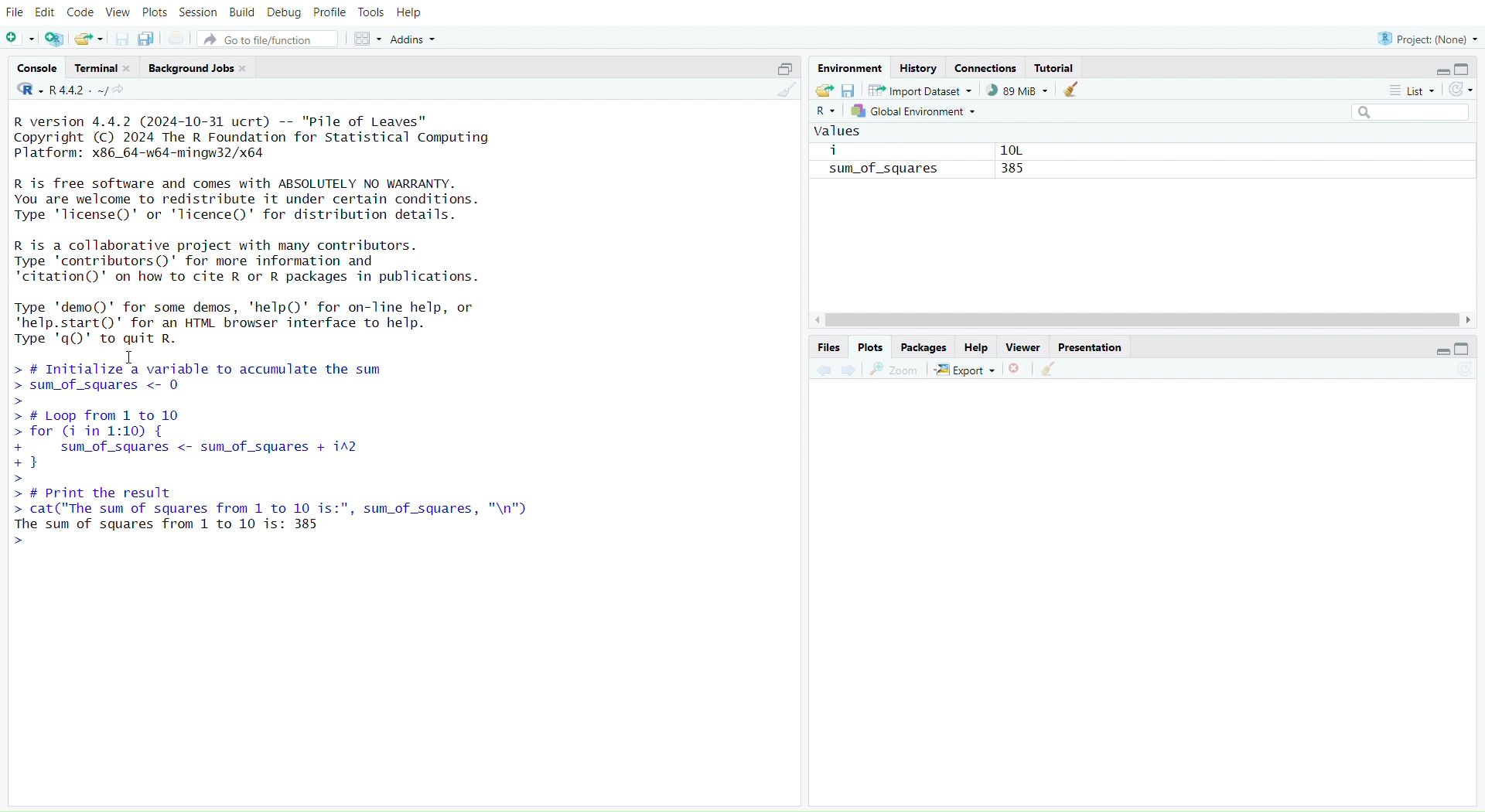 The width and height of the screenshot is (1485, 812). I want to click on backward, so click(820, 370).